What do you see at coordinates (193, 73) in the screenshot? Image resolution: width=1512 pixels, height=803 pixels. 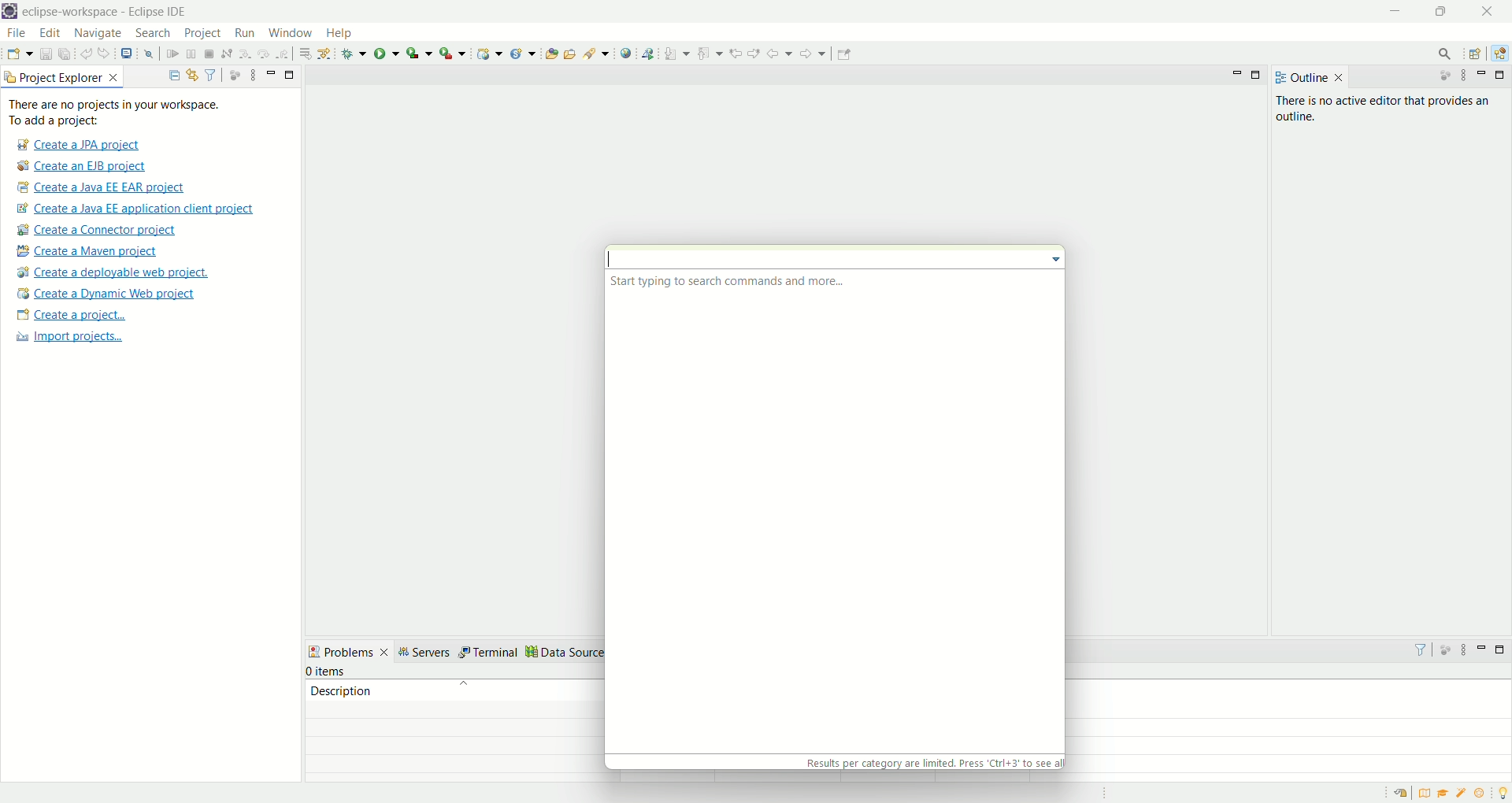 I see `link with editor` at bounding box center [193, 73].